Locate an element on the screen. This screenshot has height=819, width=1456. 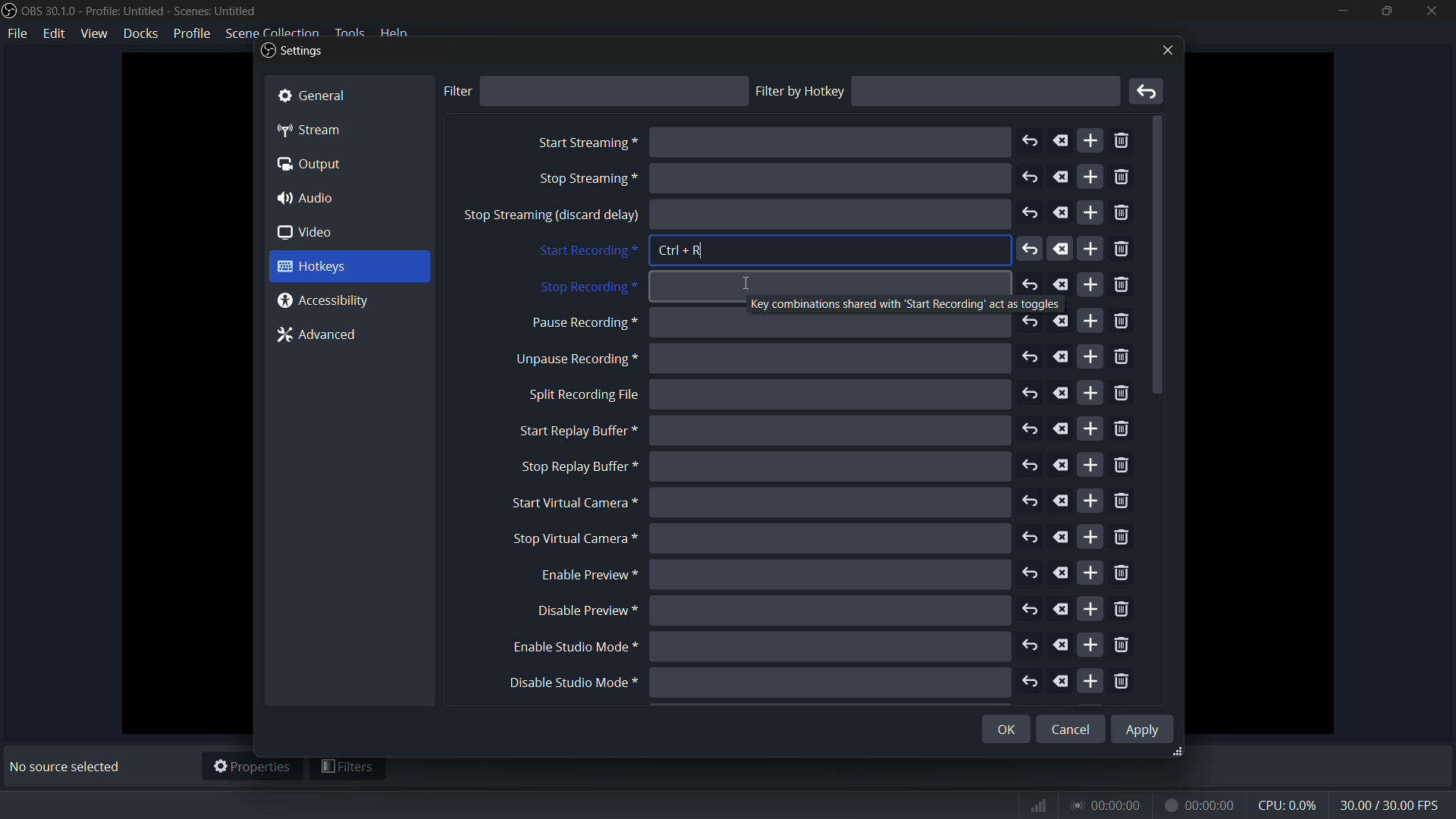
cpu usage is located at coordinates (1289, 805).